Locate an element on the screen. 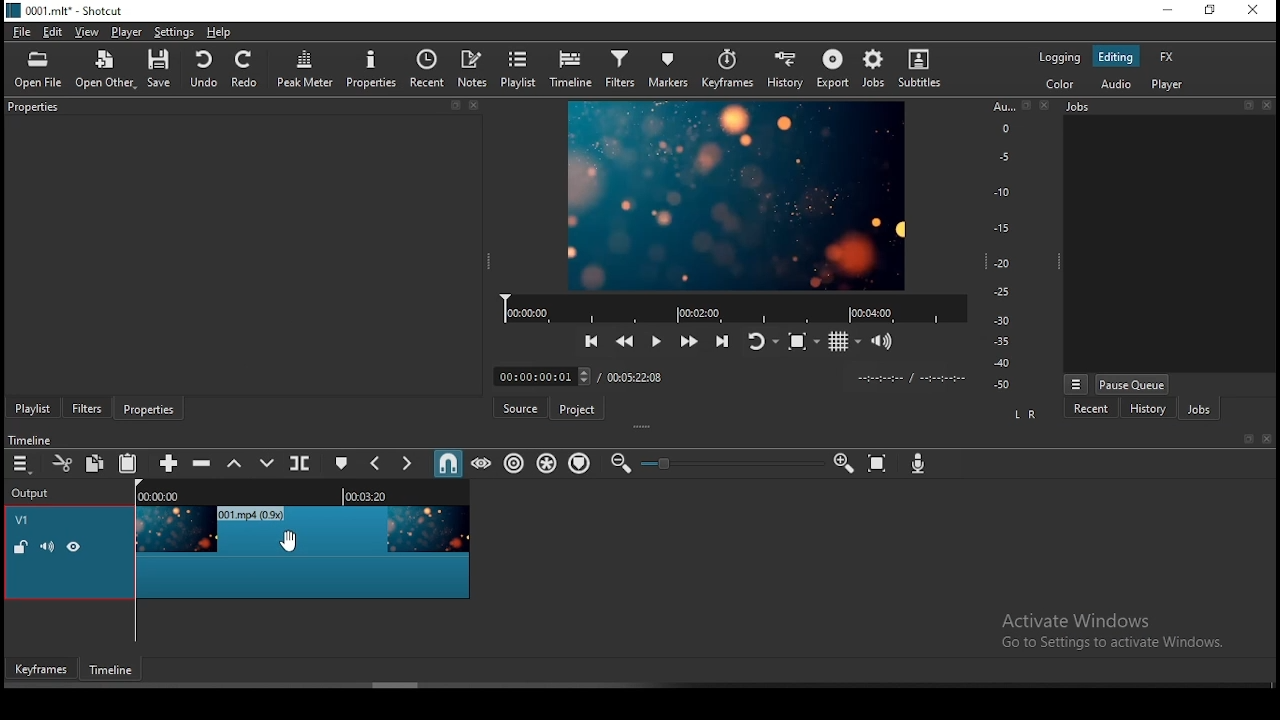  append is located at coordinates (166, 460).